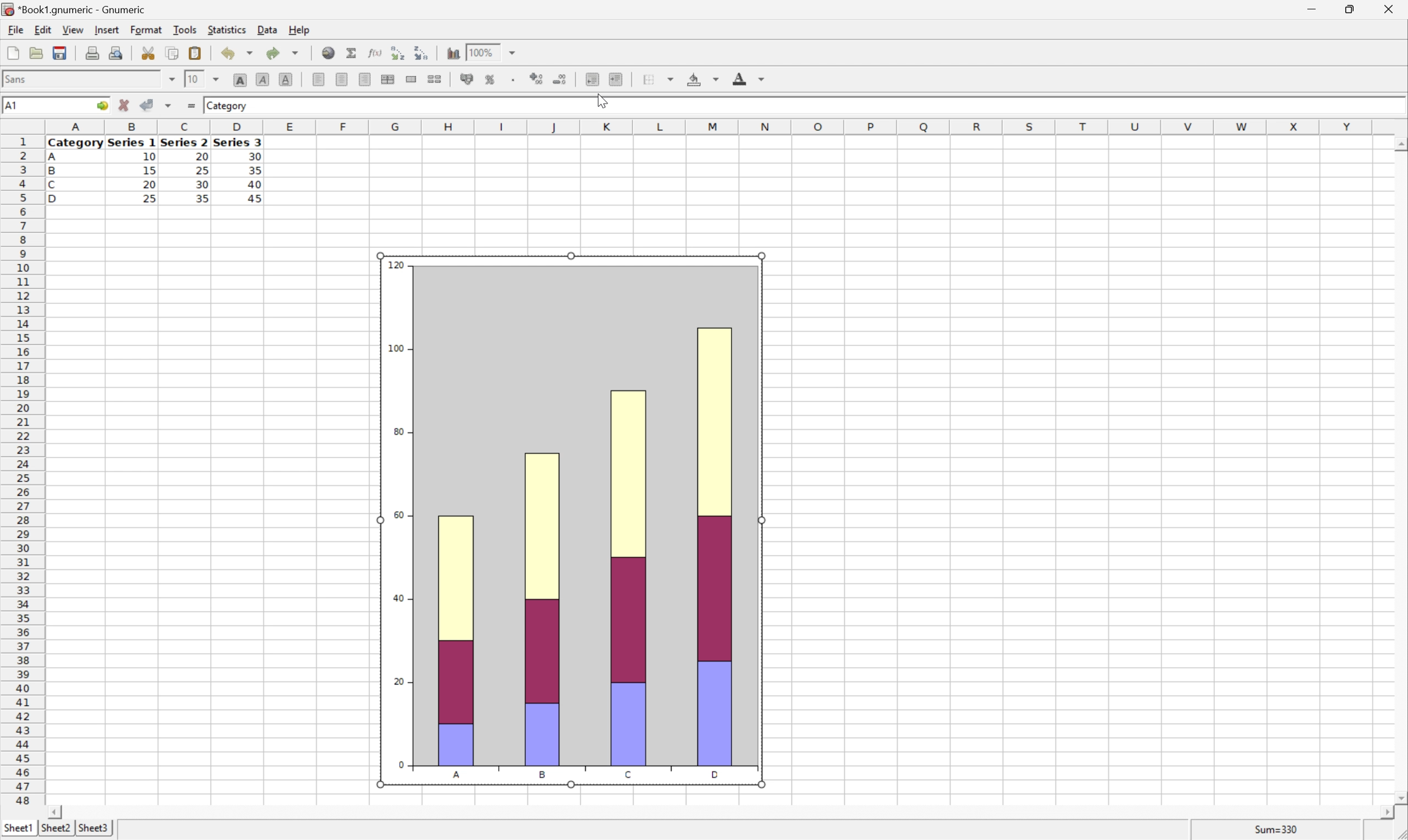  I want to click on Sheet2, so click(55, 828).